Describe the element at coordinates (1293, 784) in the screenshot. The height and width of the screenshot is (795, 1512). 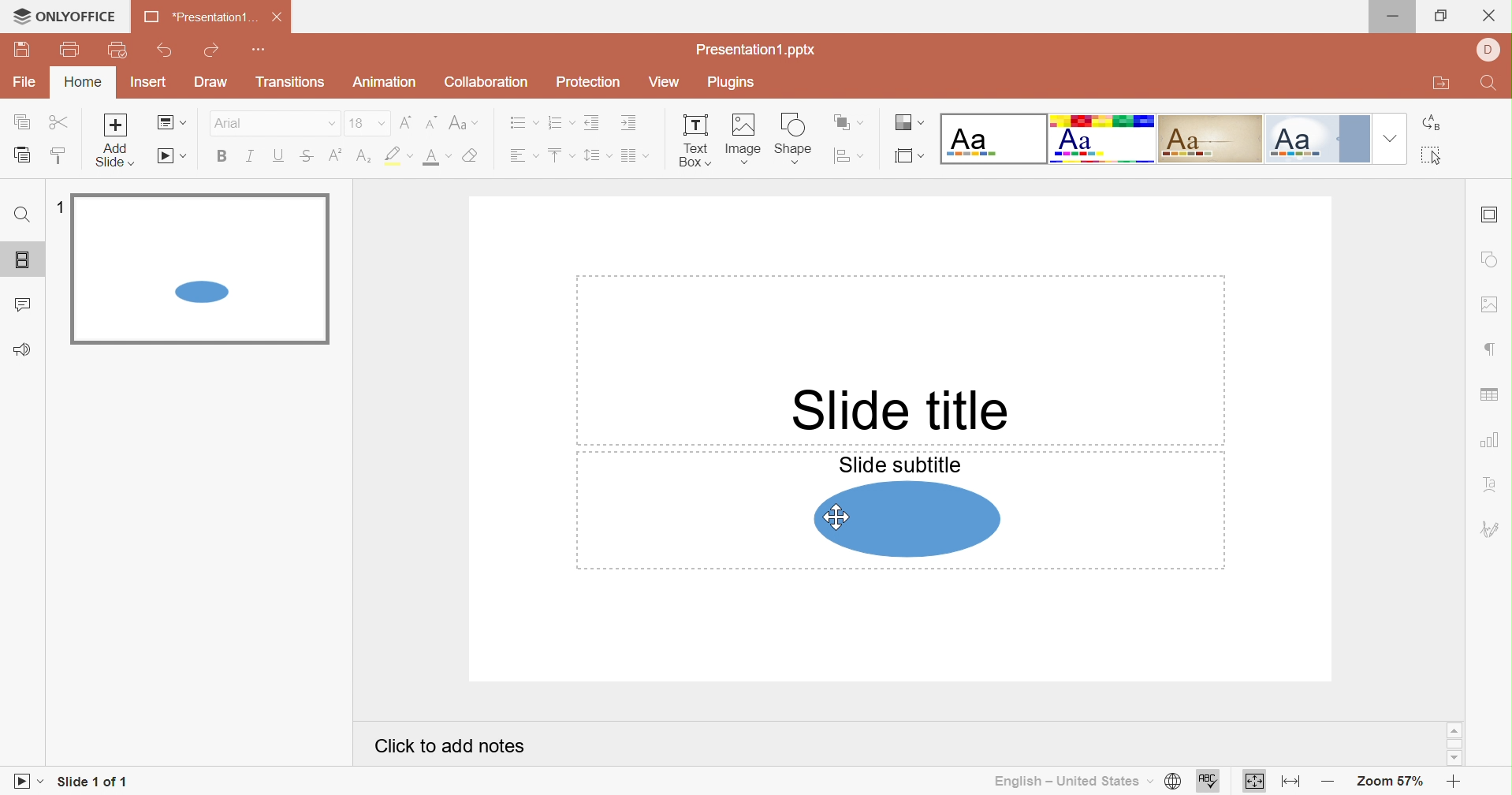
I see `Fit to width` at that location.